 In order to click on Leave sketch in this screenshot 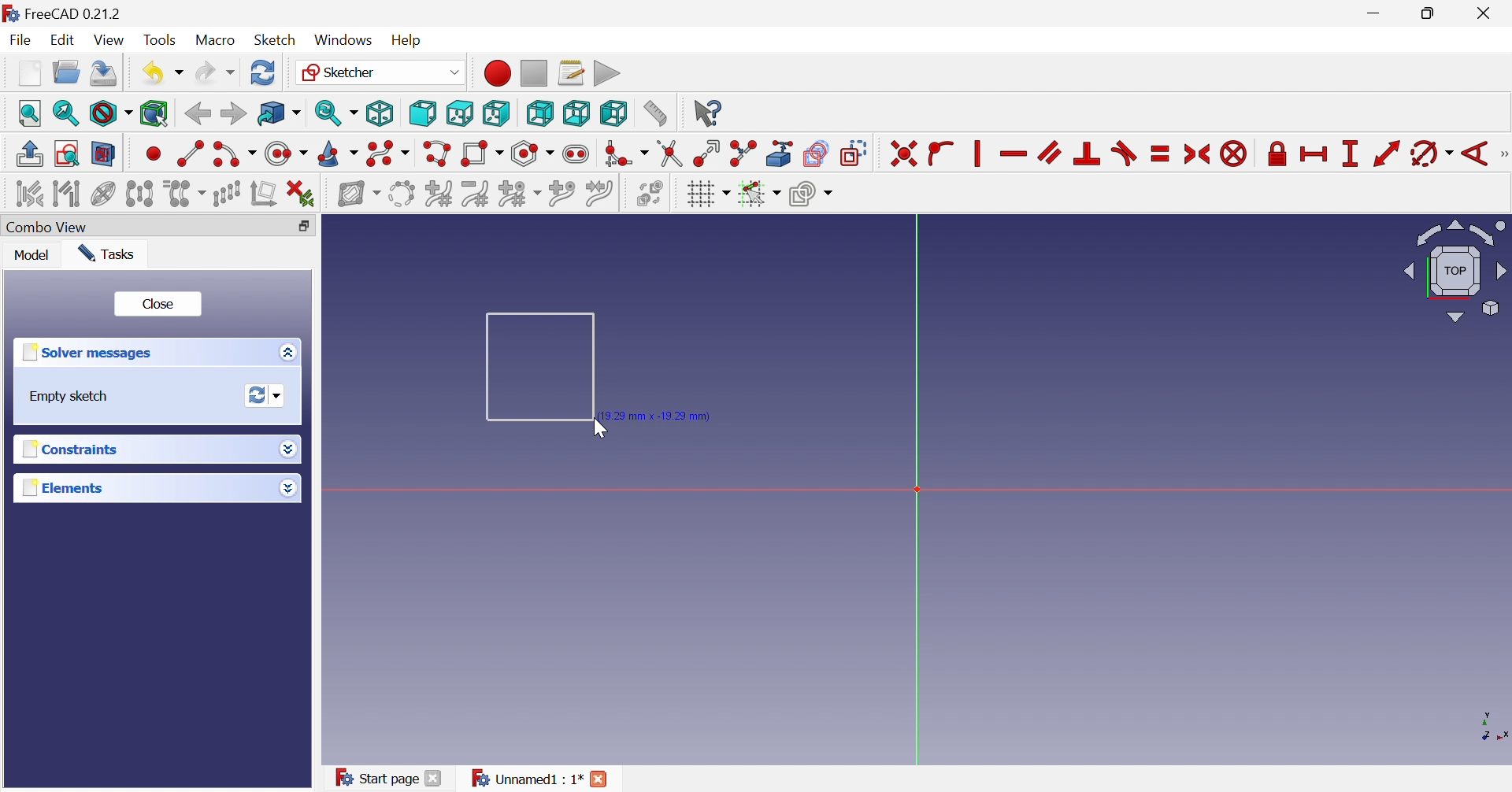, I will do `click(28, 154)`.